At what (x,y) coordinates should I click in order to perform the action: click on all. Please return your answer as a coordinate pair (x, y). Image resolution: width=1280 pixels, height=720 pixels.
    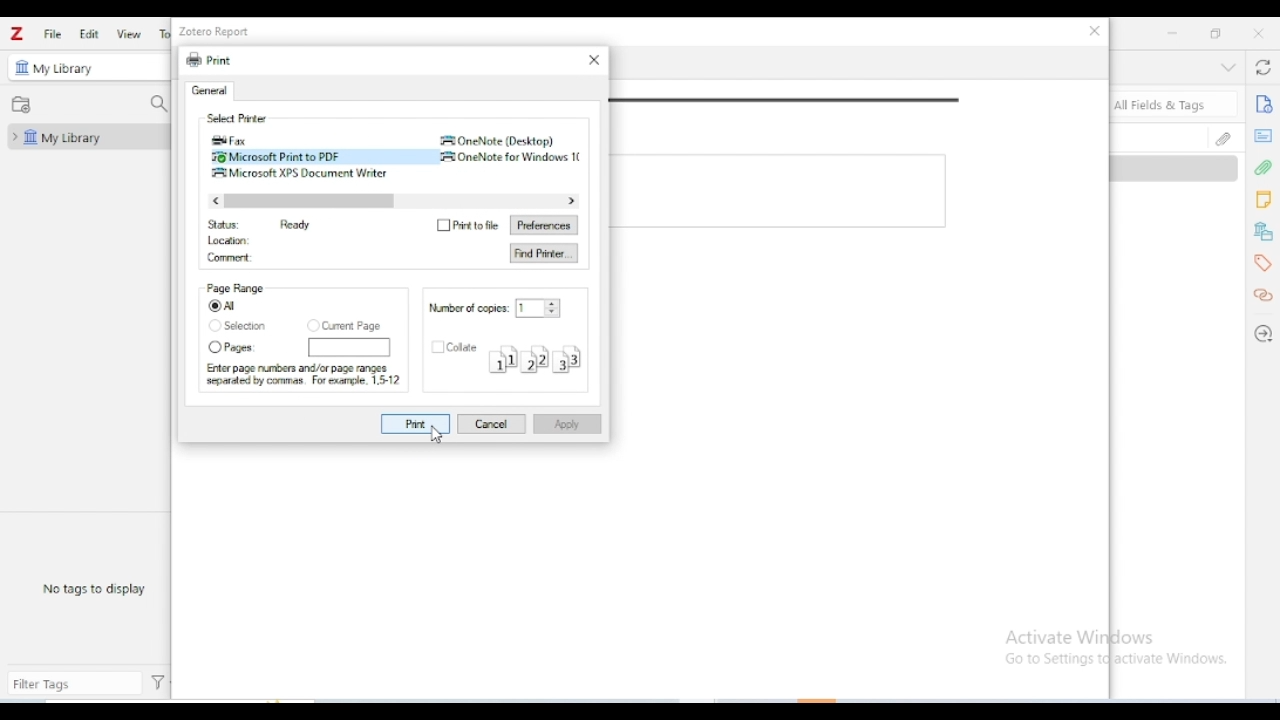
    Looking at the image, I should click on (232, 307).